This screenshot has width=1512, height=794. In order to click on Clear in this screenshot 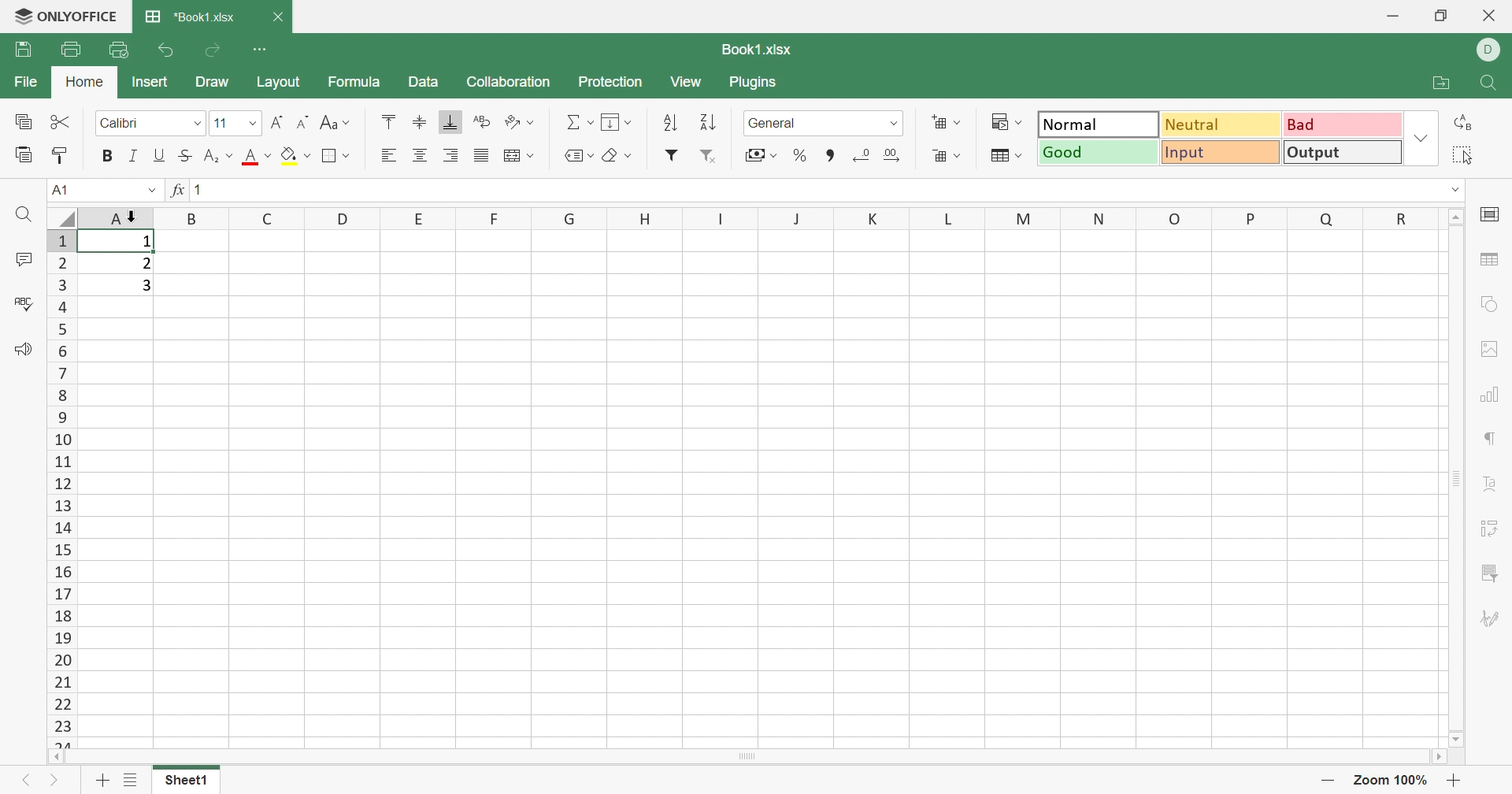, I will do `click(617, 157)`.